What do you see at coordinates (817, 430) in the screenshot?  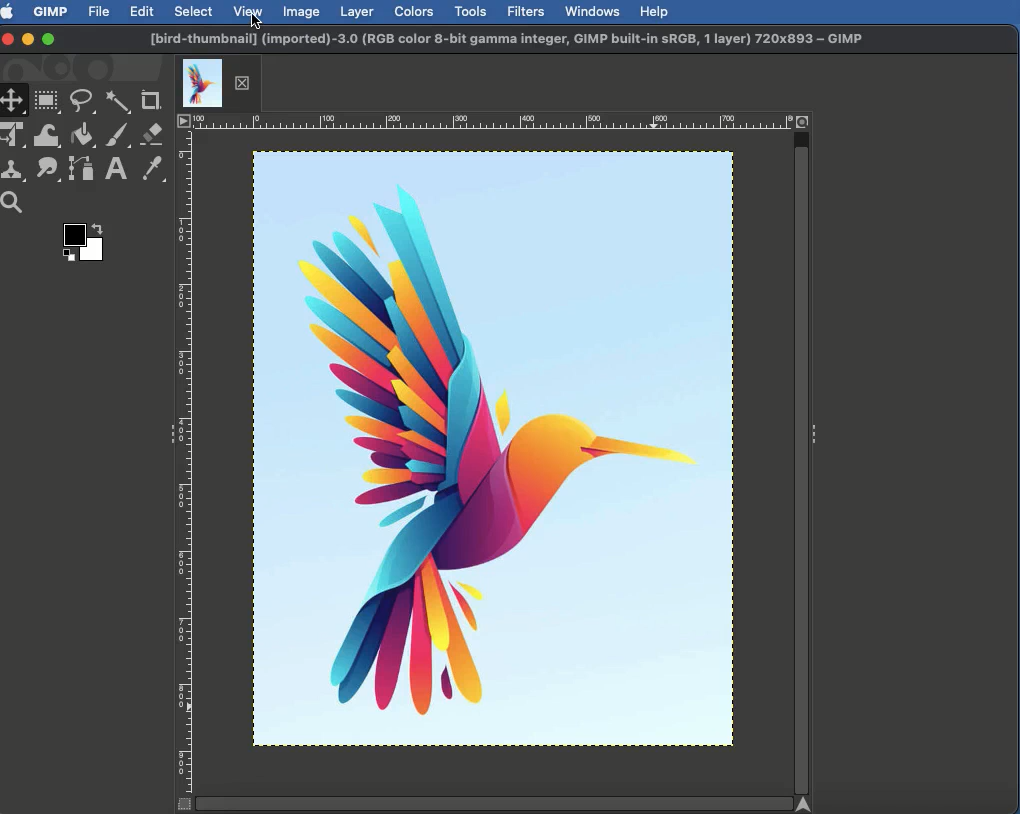 I see `Show sidebar menu` at bounding box center [817, 430].